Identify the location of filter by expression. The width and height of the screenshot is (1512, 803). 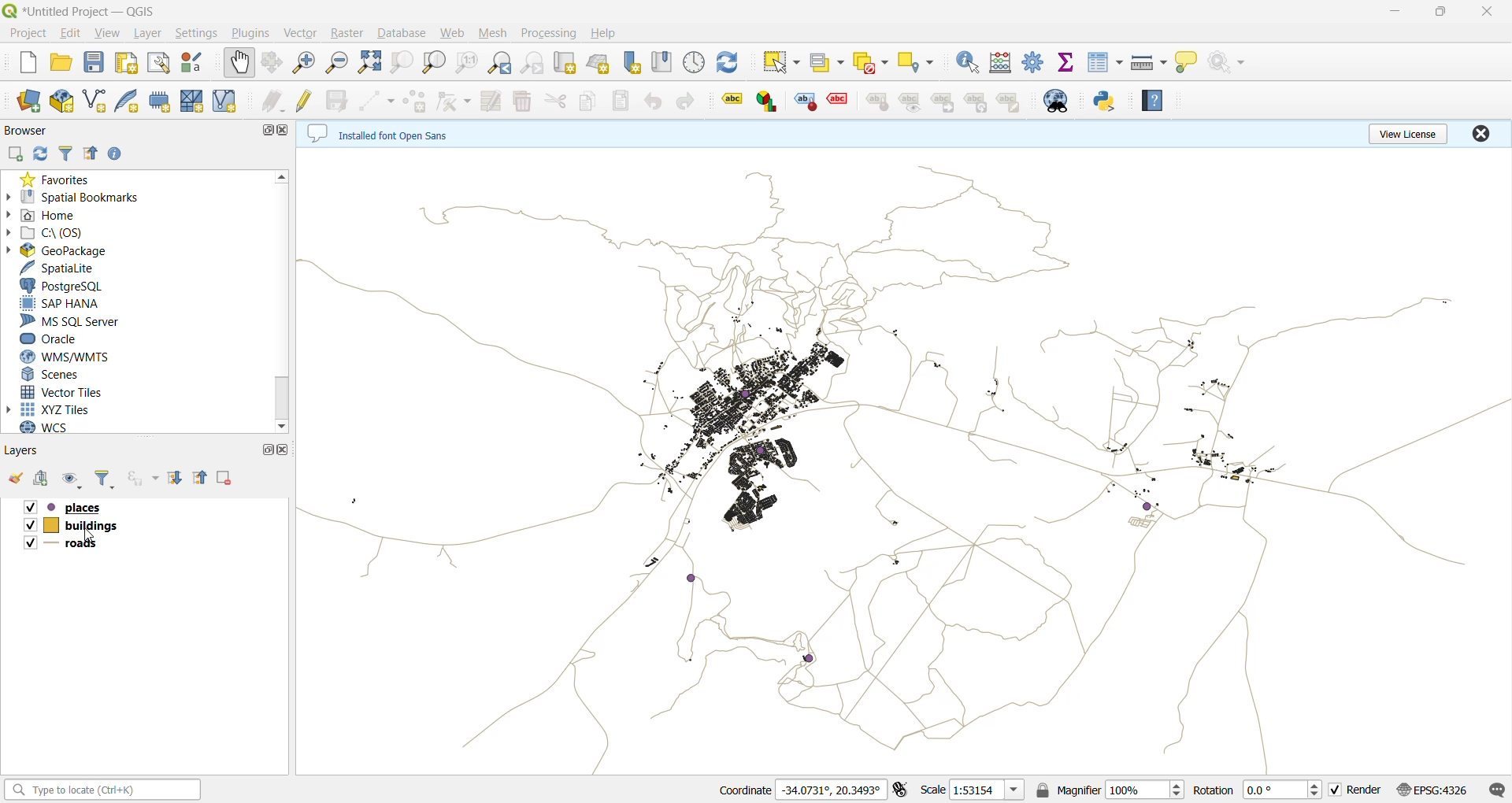
(142, 479).